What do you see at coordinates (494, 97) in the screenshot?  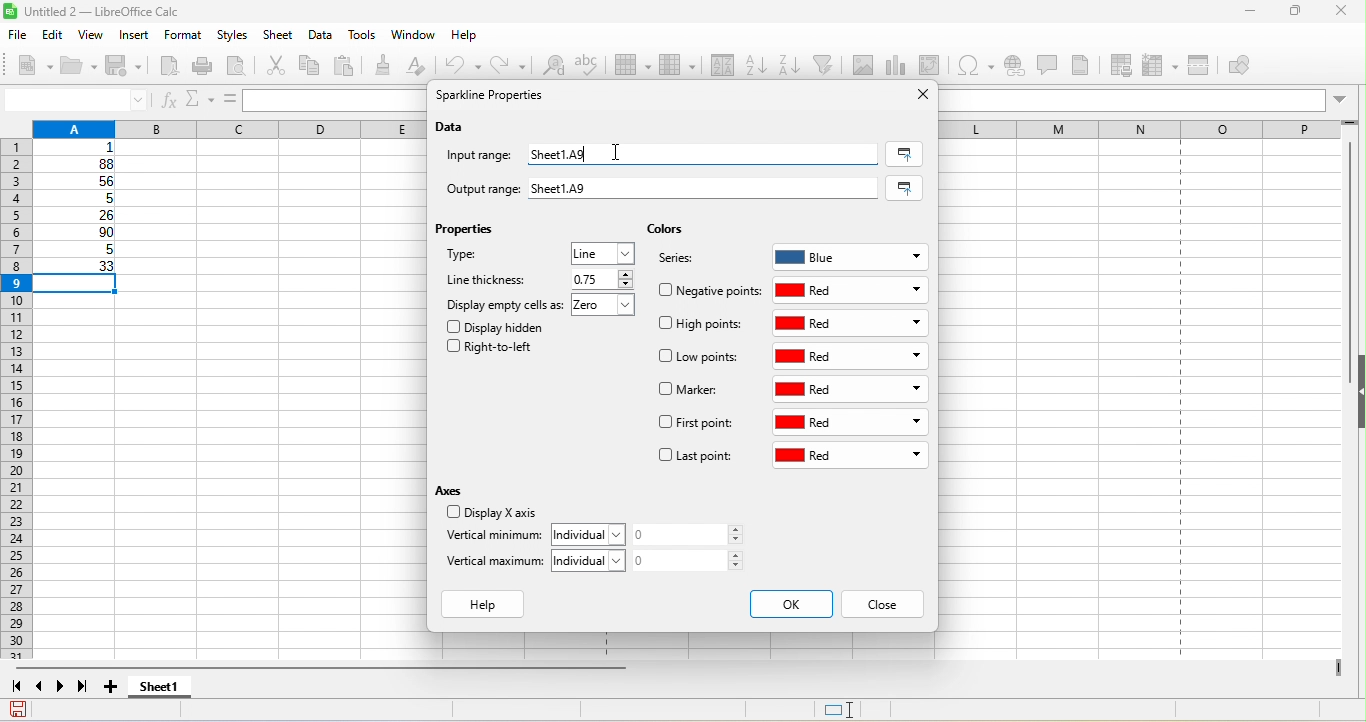 I see `sparkline properties` at bounding box center [494, 97].